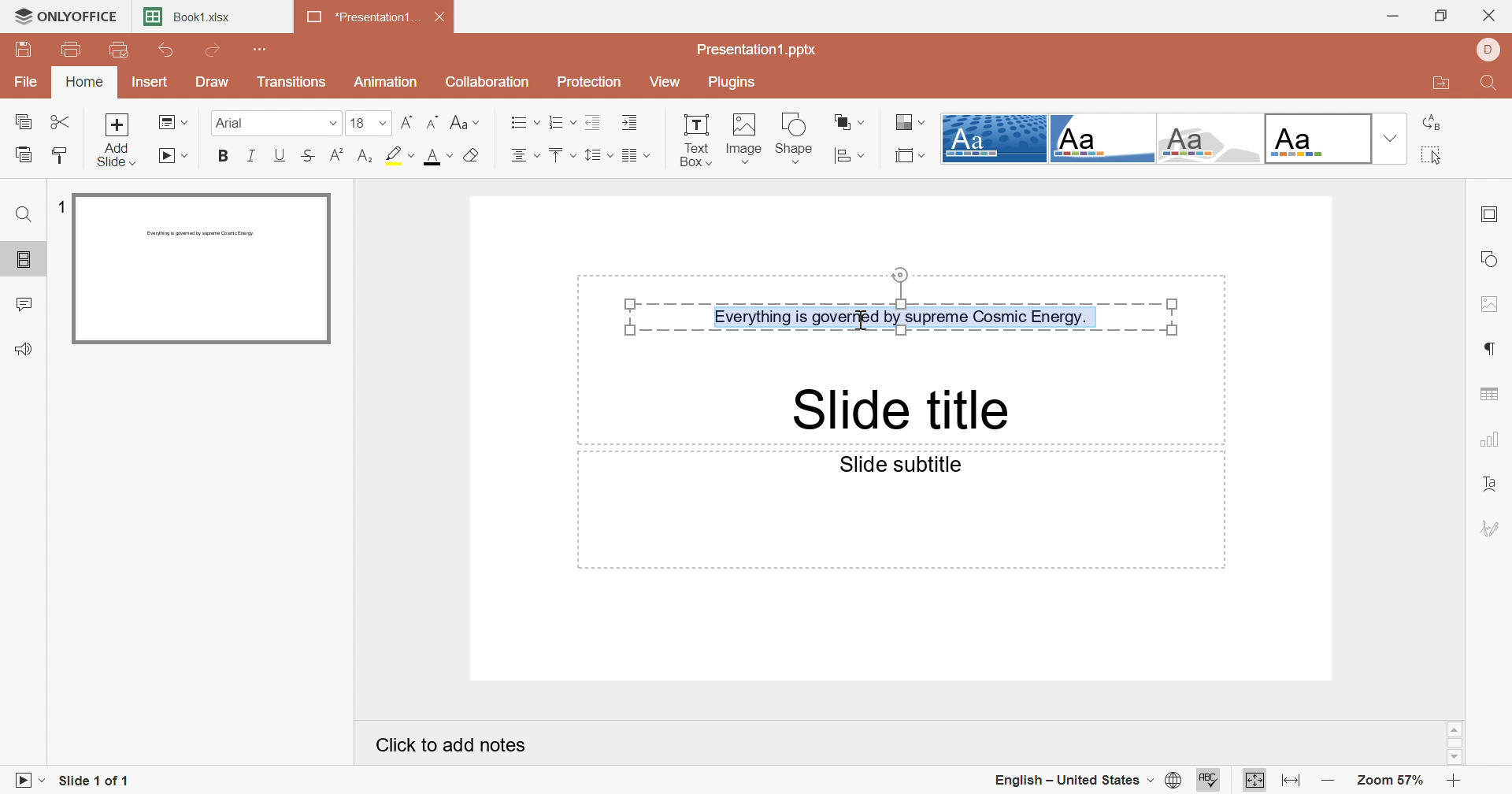 The image size is (1512, 794). What do you see at coordinates (1492, 15) in the screenshot?
I see `Close` at bounding box center [1492, 15].